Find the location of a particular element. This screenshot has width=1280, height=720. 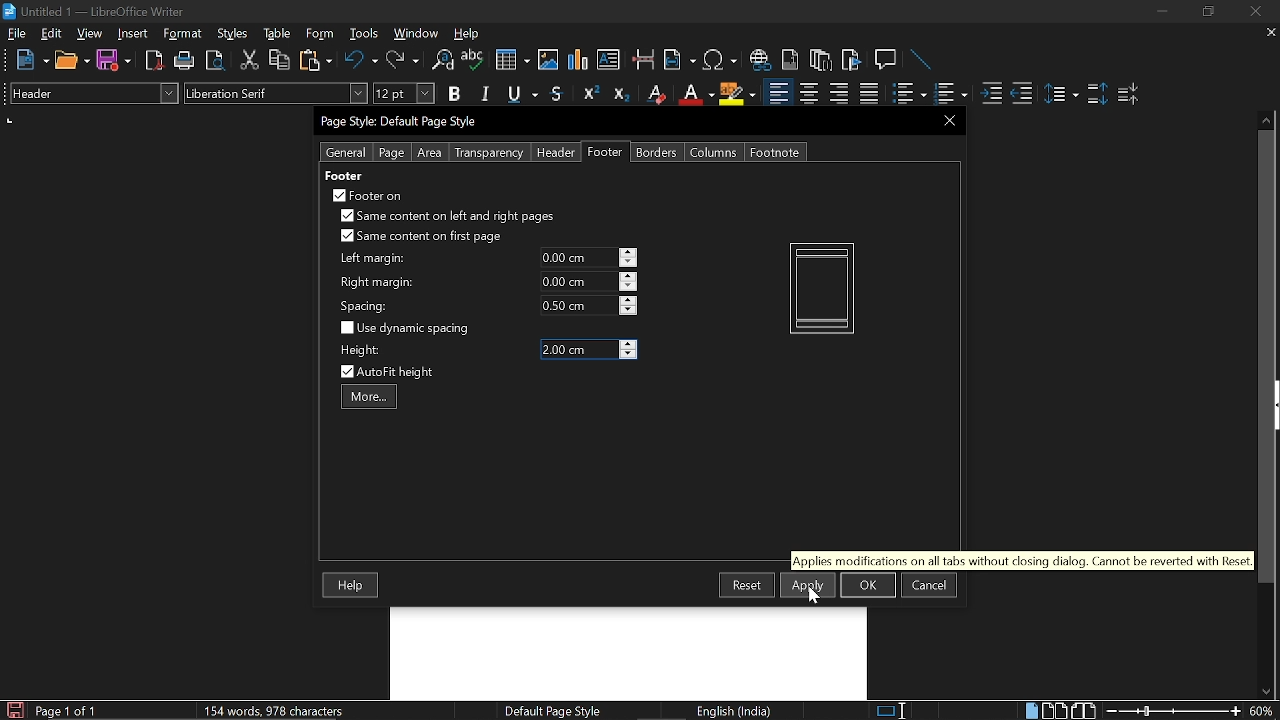

Insert symbol is located at coordinates (722, 60).